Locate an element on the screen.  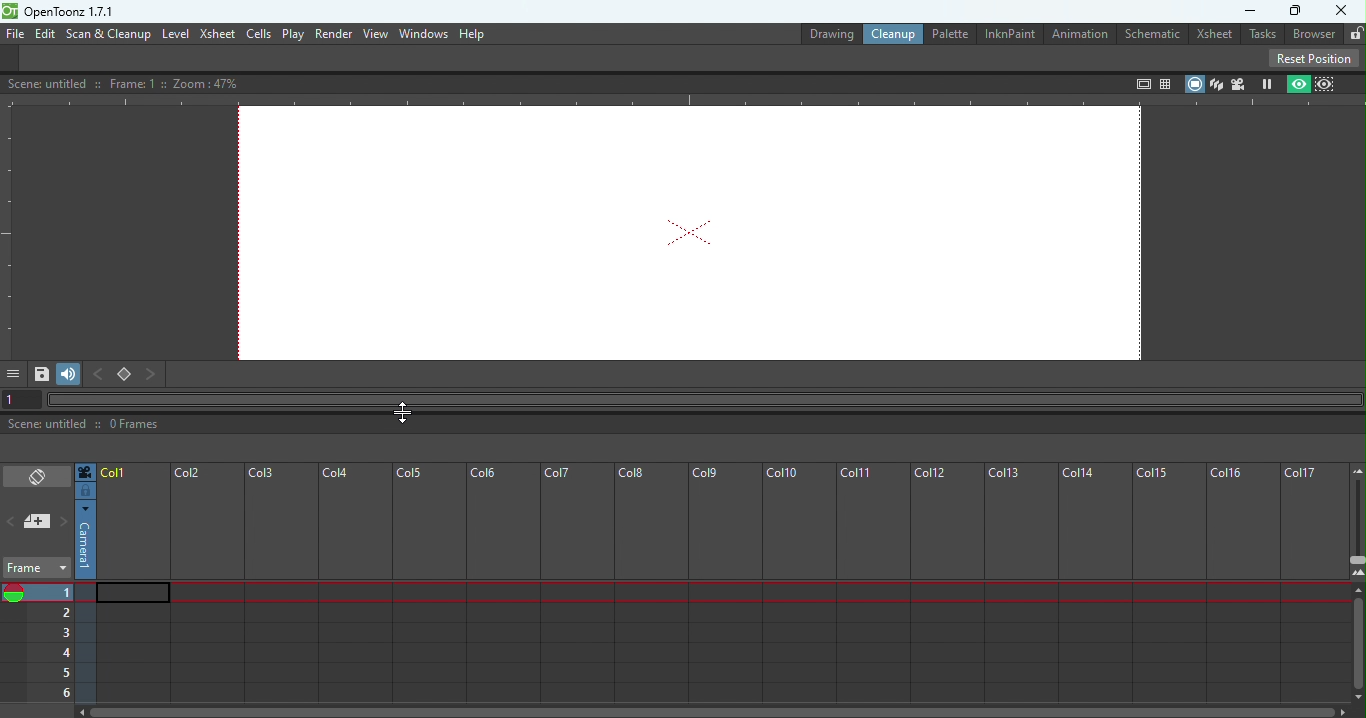
Freeze is located at coordinates (1267, 83).